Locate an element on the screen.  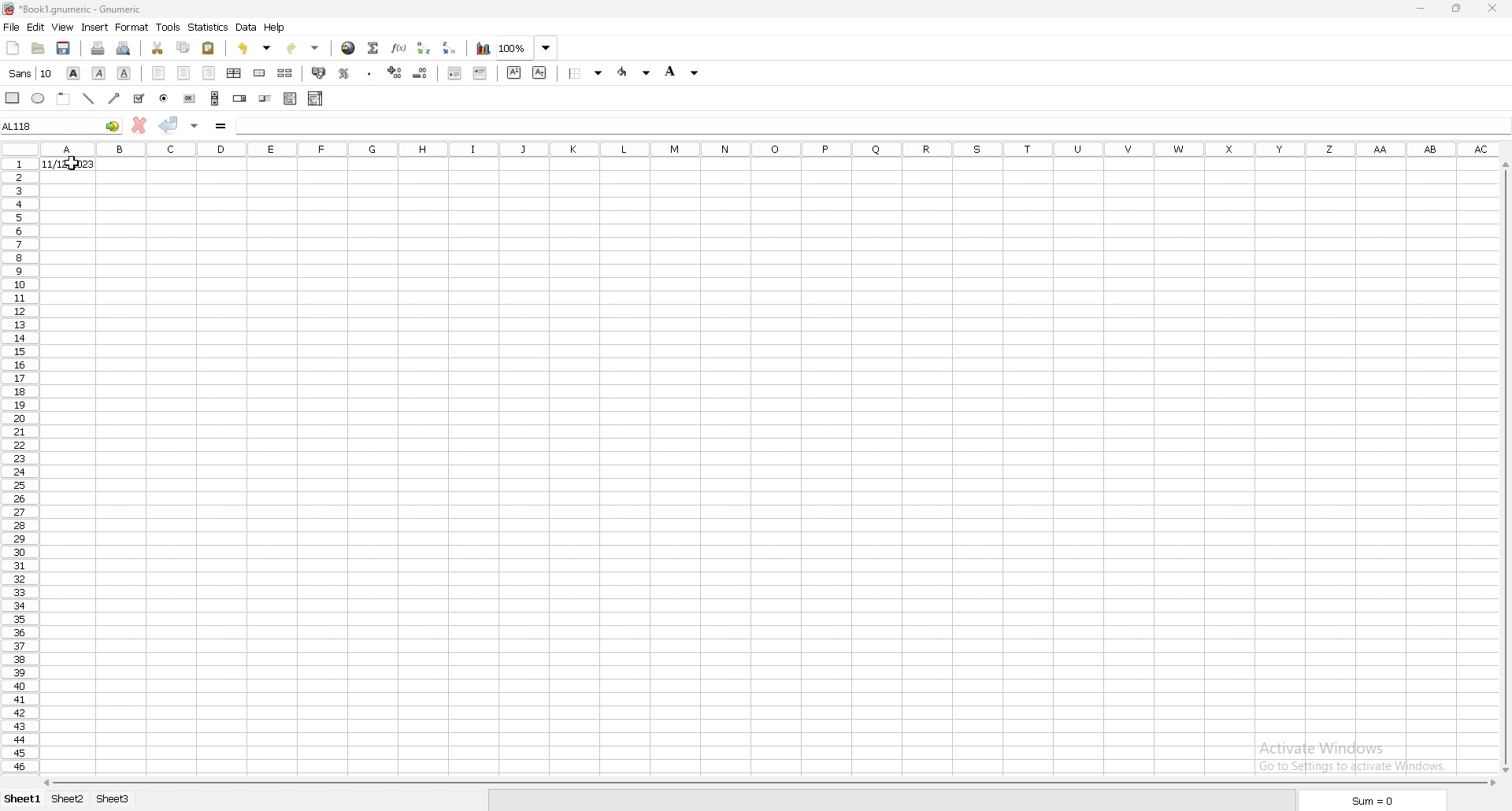
left align is located at coordinates (158, 72).